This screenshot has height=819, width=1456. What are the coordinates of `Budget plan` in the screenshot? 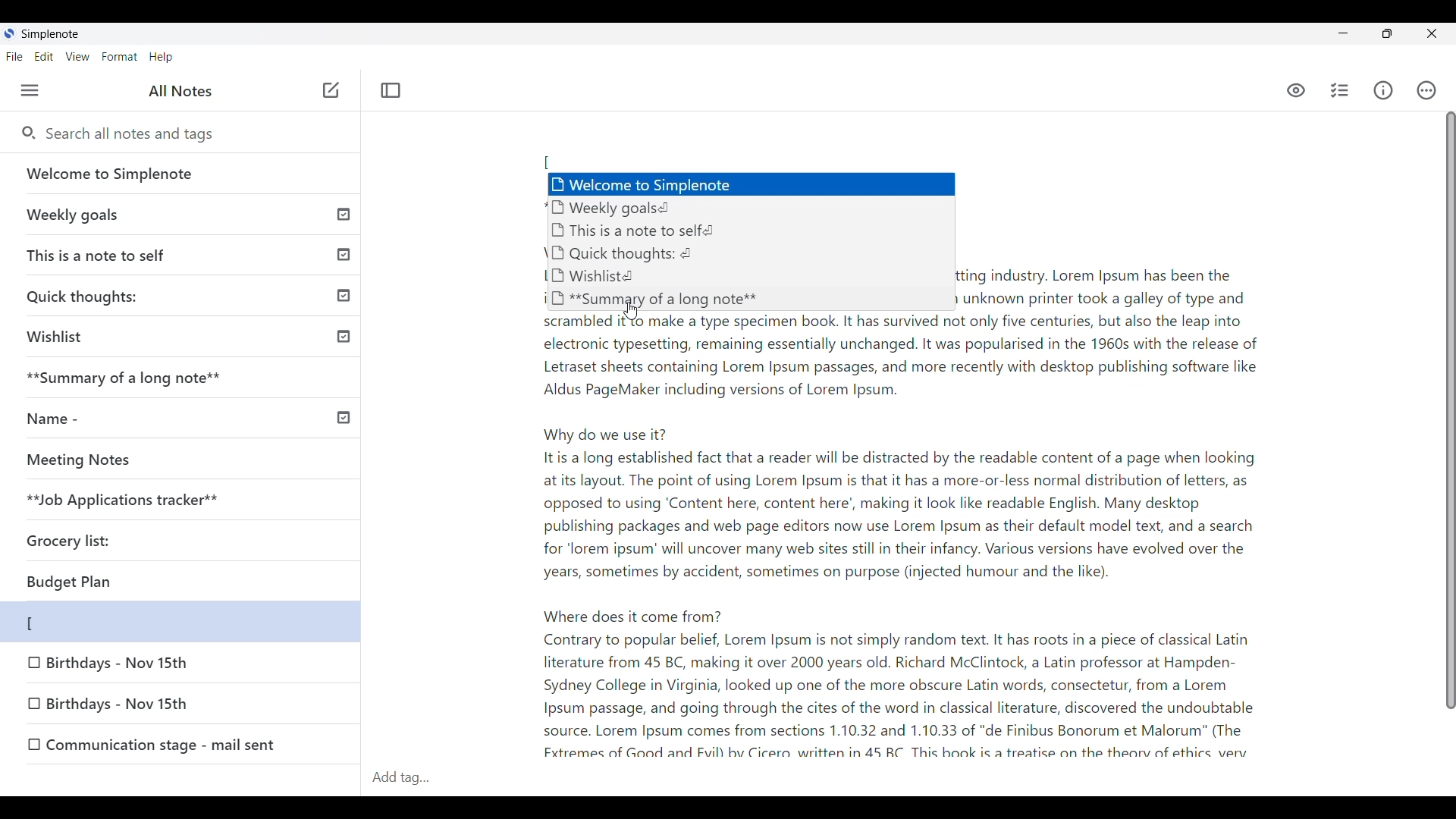 It's located at (127, 582).